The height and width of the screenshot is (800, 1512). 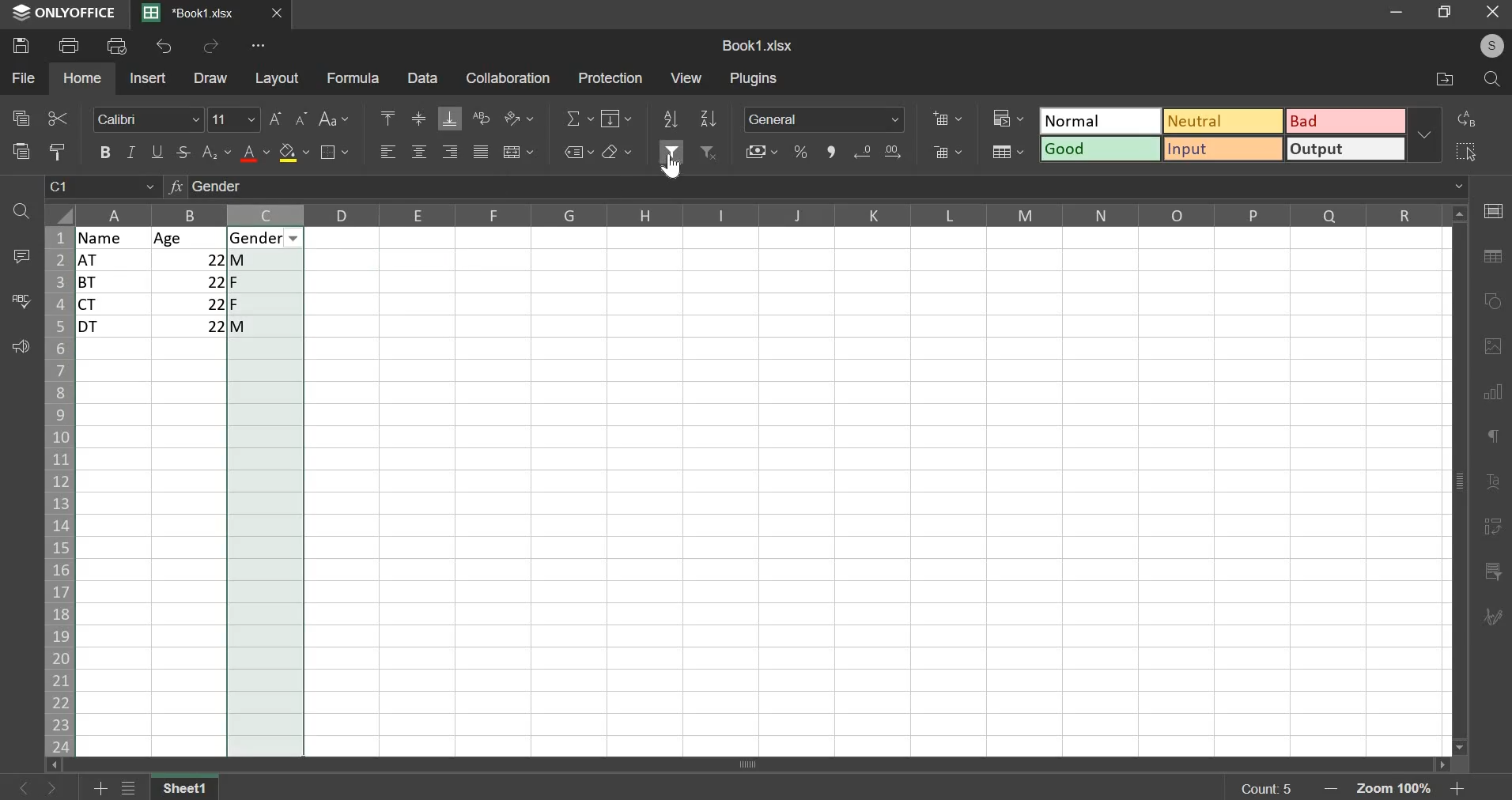 What do you see at coordinates (1454, 790) in the screenshot?
I see `zoom in` at bounding box center [1454, 790].